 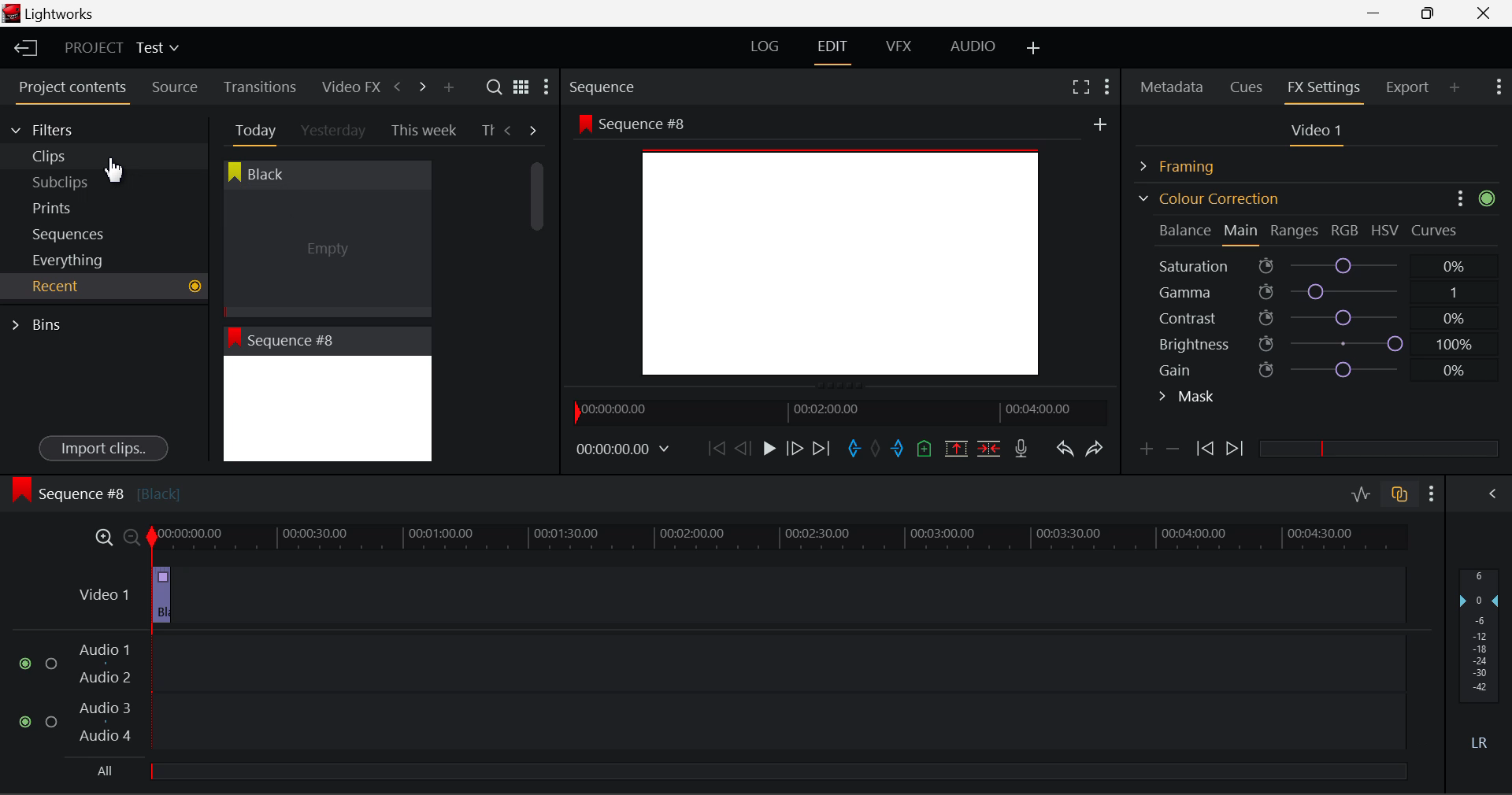 I want to click on Redo, so click(x=1095, y=448).